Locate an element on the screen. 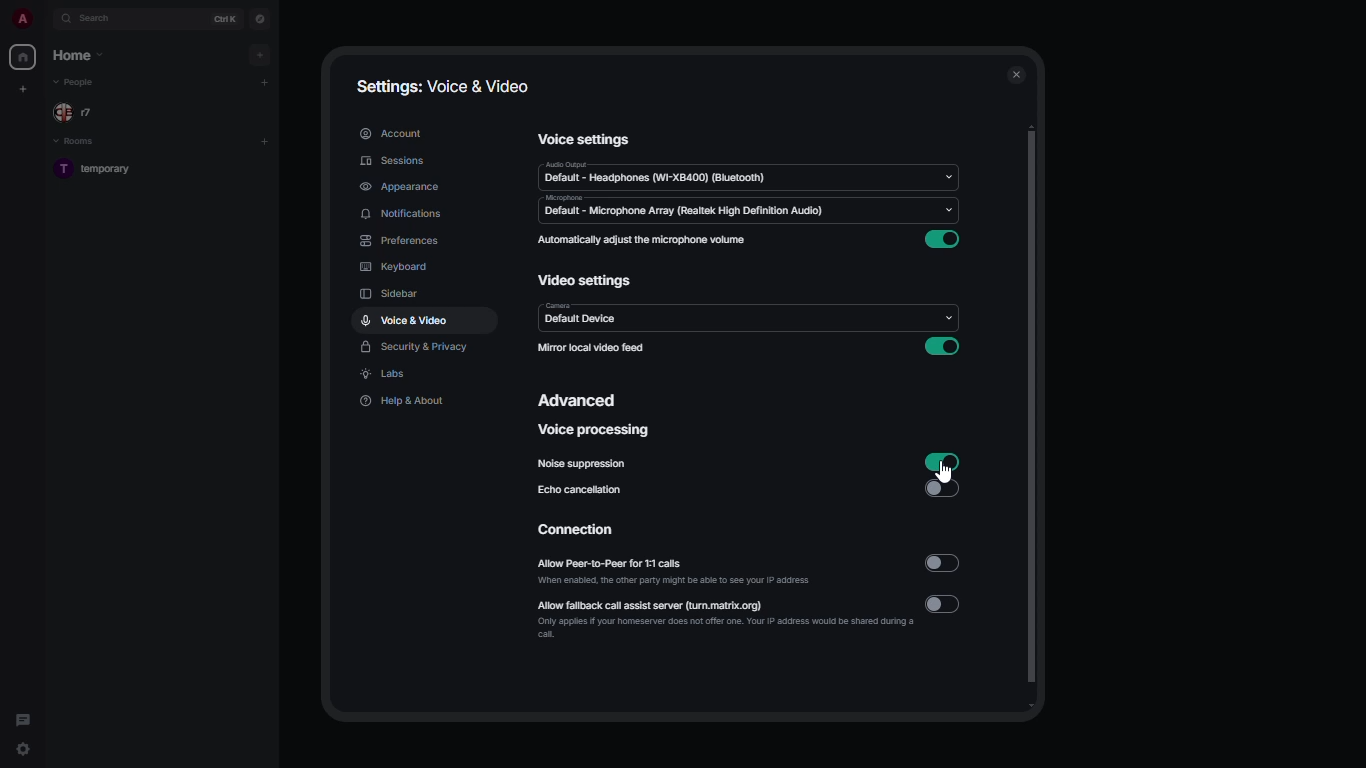 This screenshot has height=768, width=1366. allow fallback call assist server is located at coordinates (720, 618).